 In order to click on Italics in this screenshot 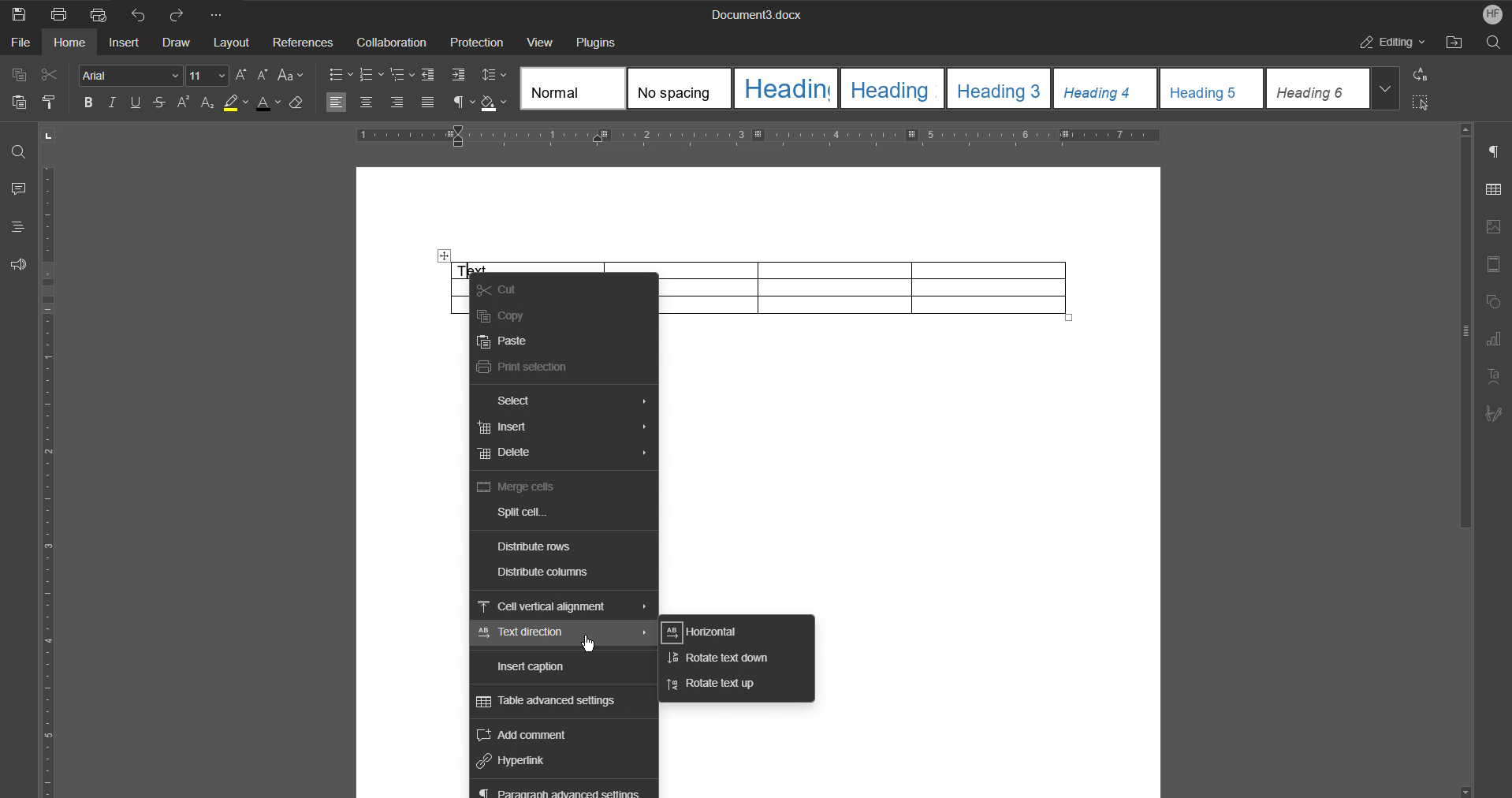, I will do `click(114, 103)`.